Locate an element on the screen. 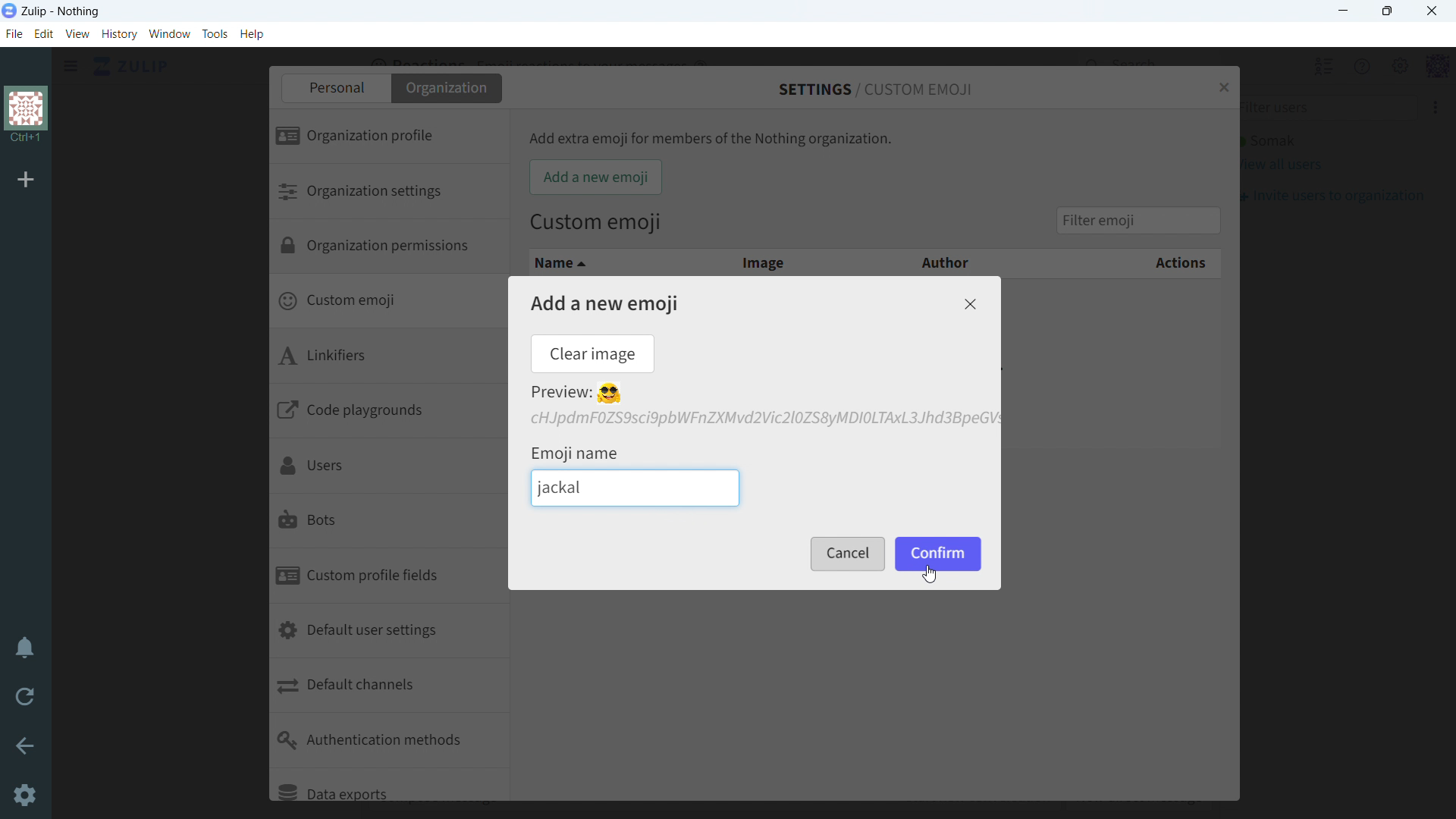 The image size is (1456, 819). linkifiers is located at coordinates (387, 359).